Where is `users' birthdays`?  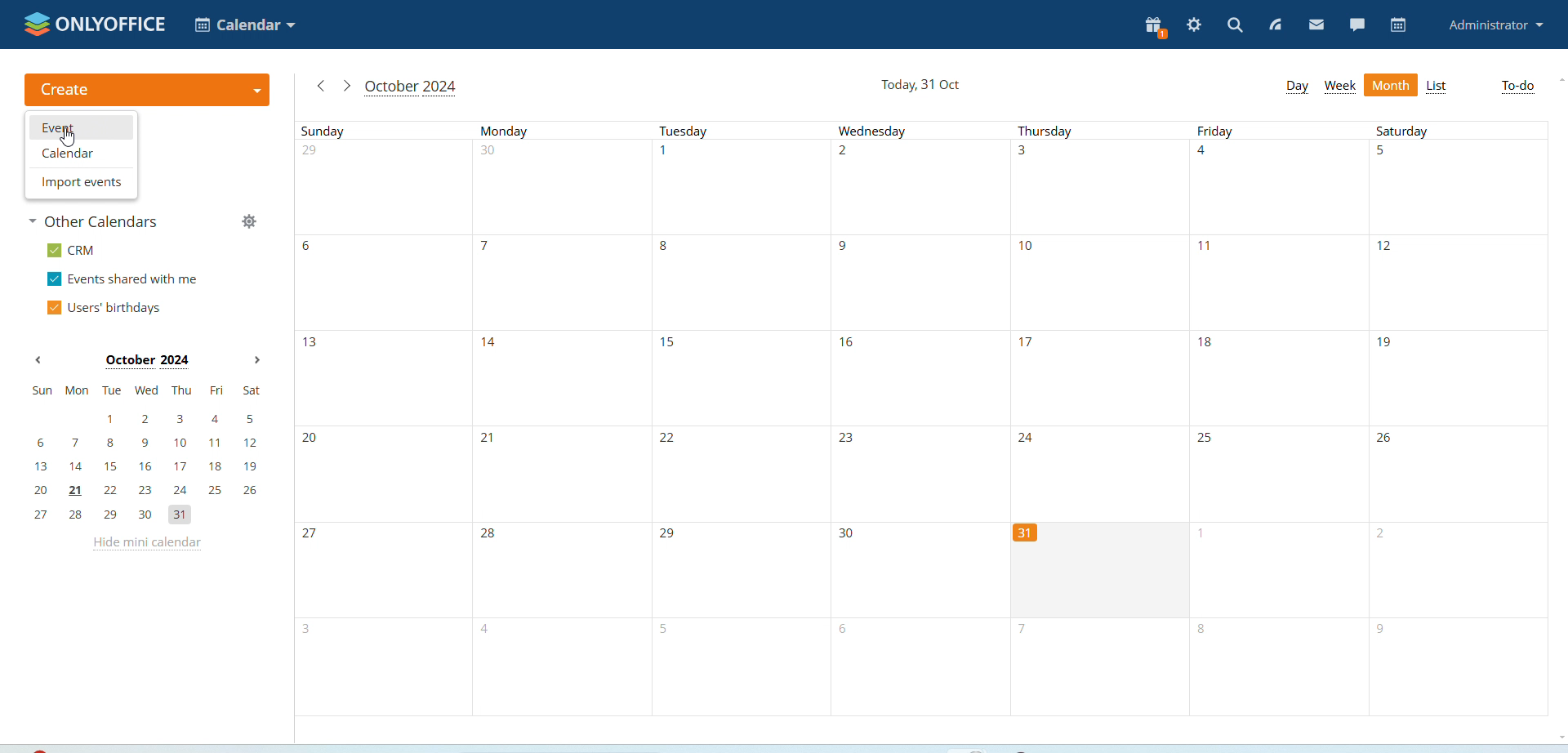 users' birthdays is located at coordinates (105, 308).